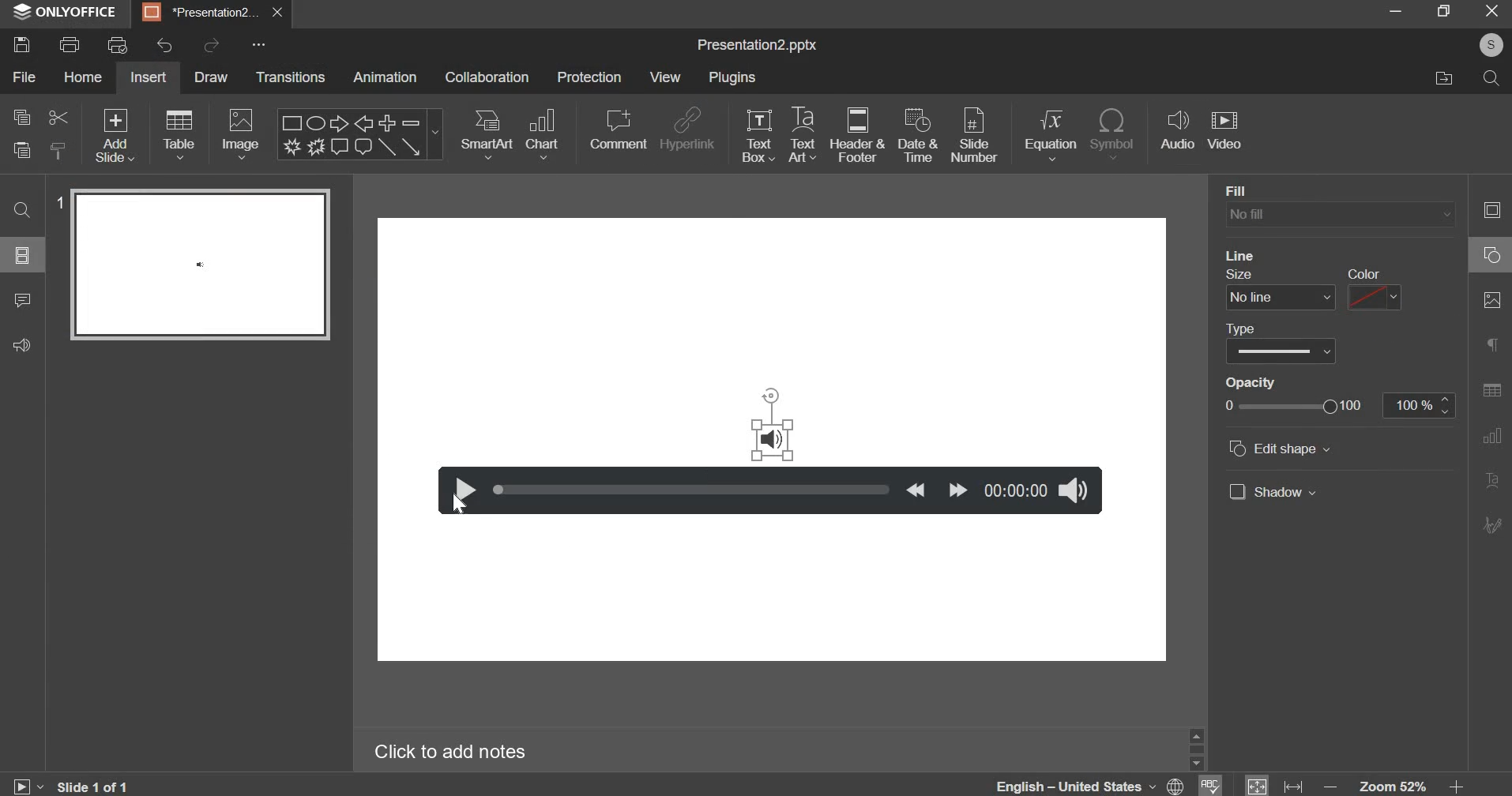 The image size is (1512, 796). I want to click on shape settings, so click(1491, 253).